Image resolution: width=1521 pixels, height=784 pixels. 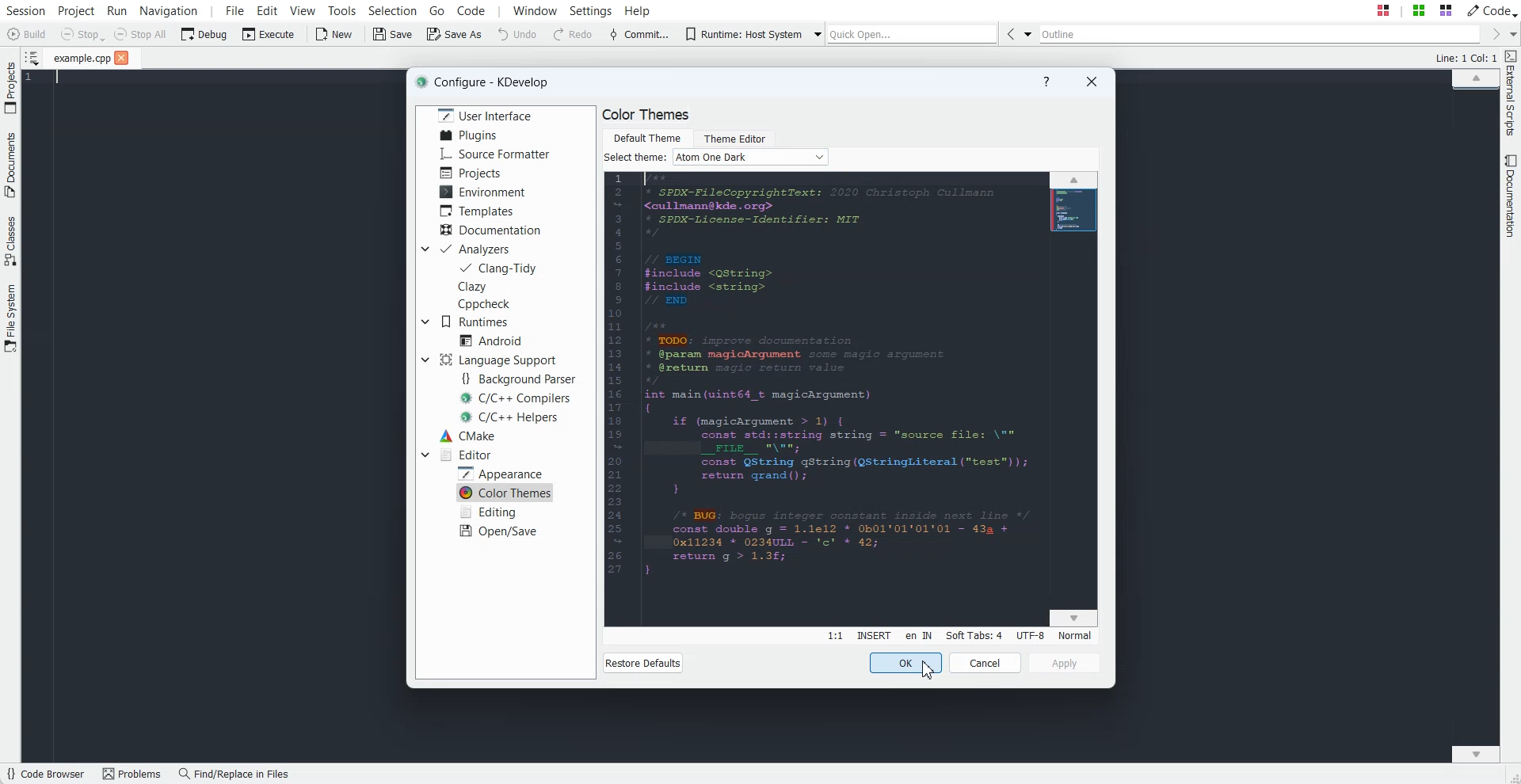 What do you see at coordinates (912, 34) in the screenshot?
I see `Quick Open` at bounding box center [912, 34].